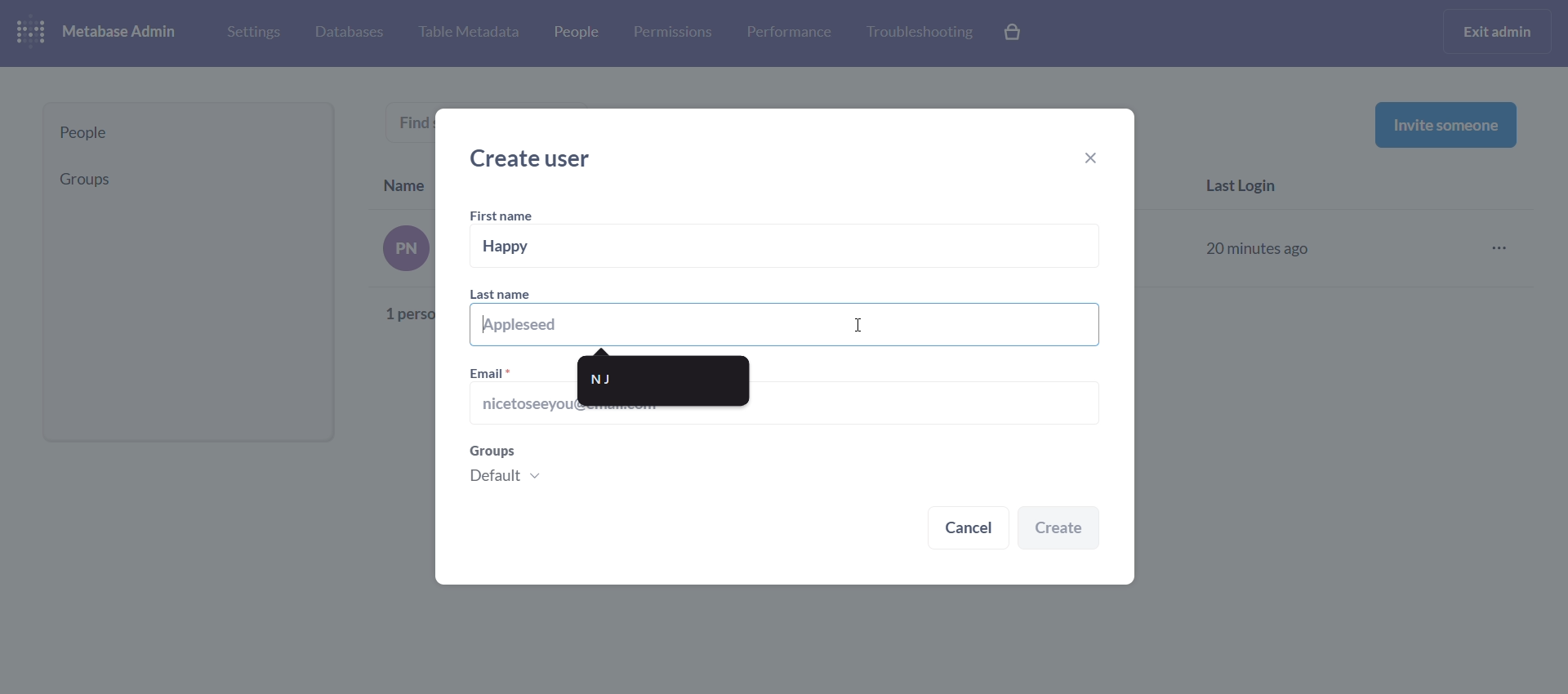  Describe the element at coordinates (492, 371) in the screenshot. I see `email` at that location.